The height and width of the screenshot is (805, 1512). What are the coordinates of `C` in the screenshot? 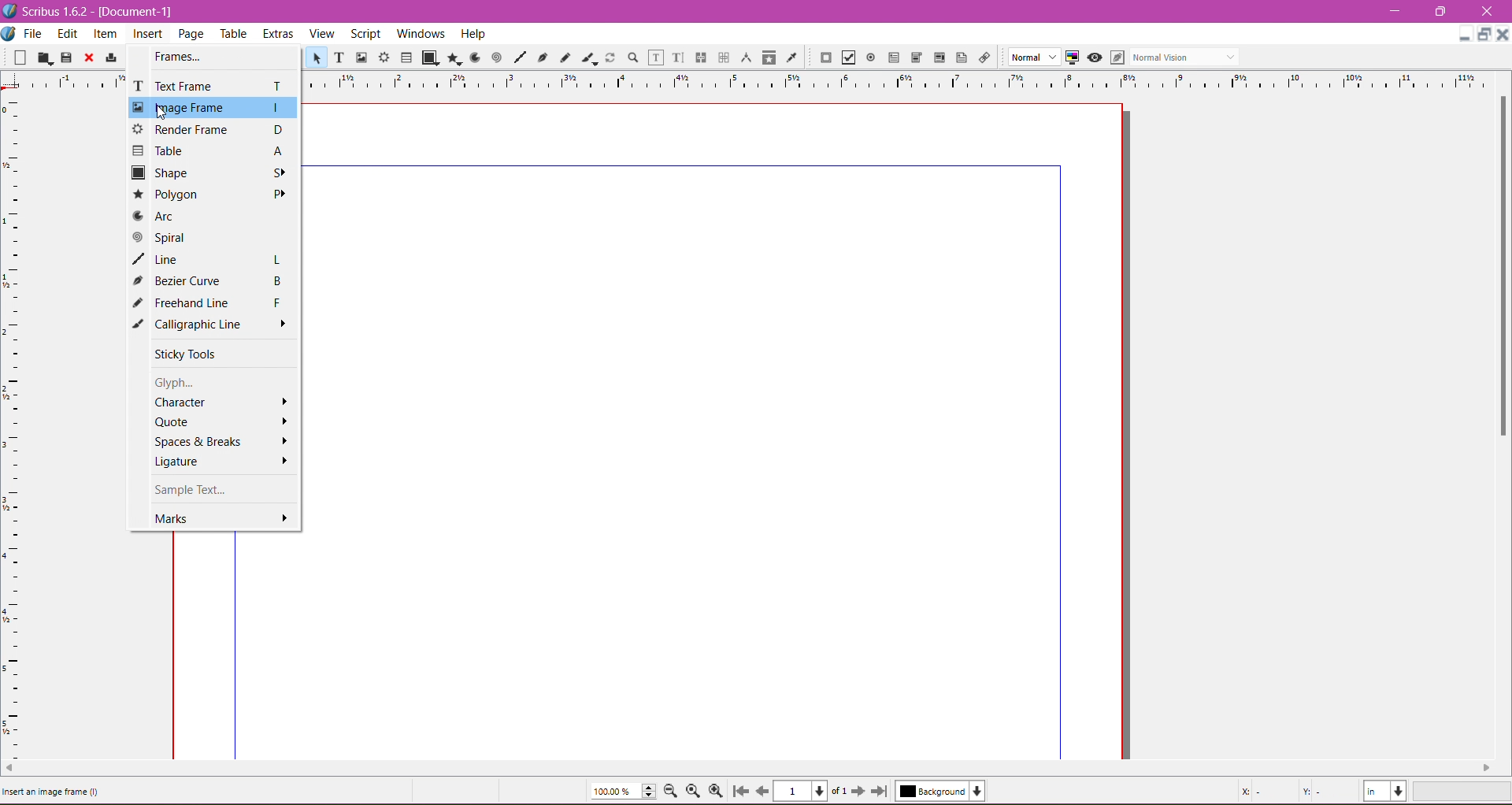 It's located at (1486, 12).